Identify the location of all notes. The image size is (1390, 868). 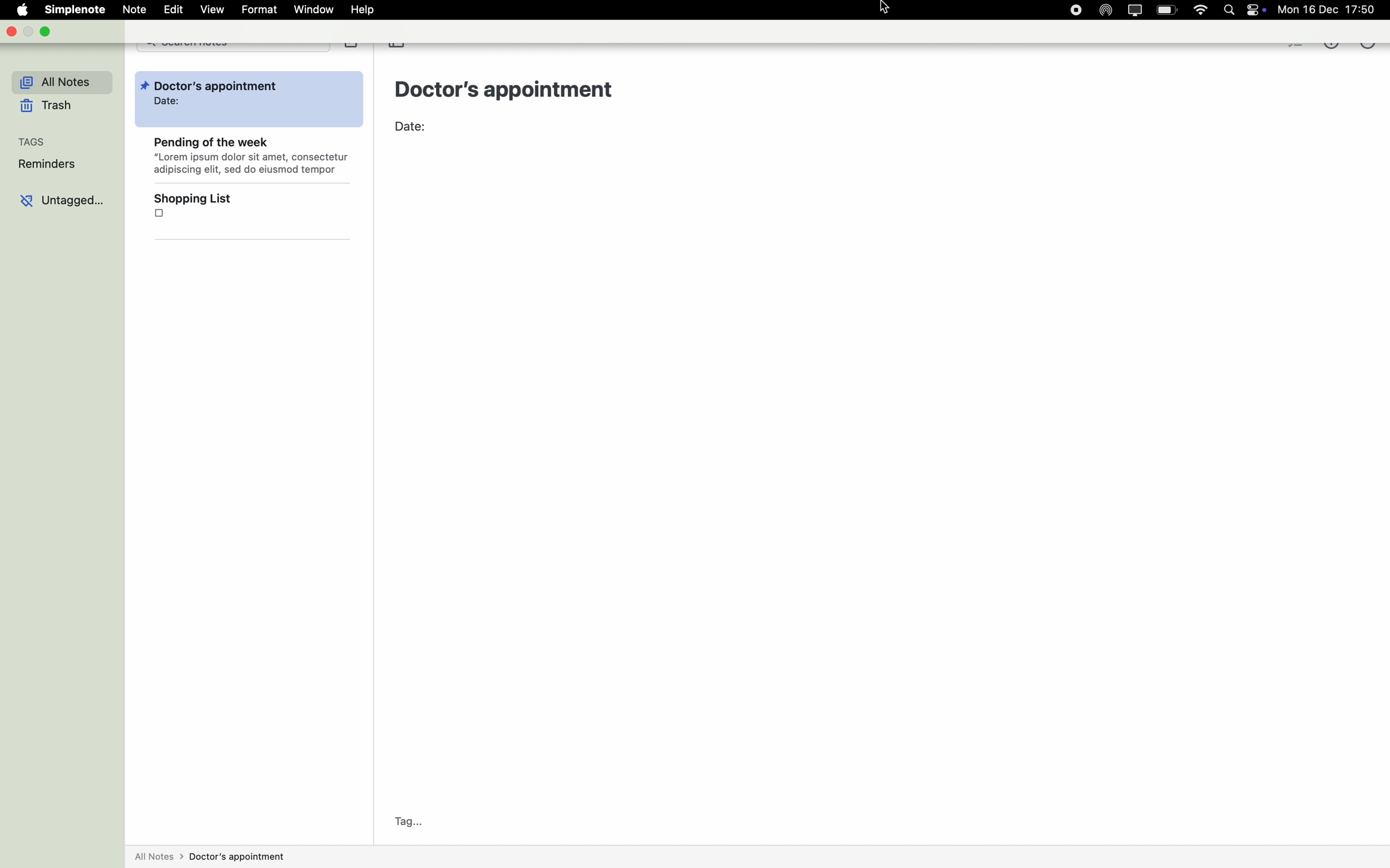
(56, 83).